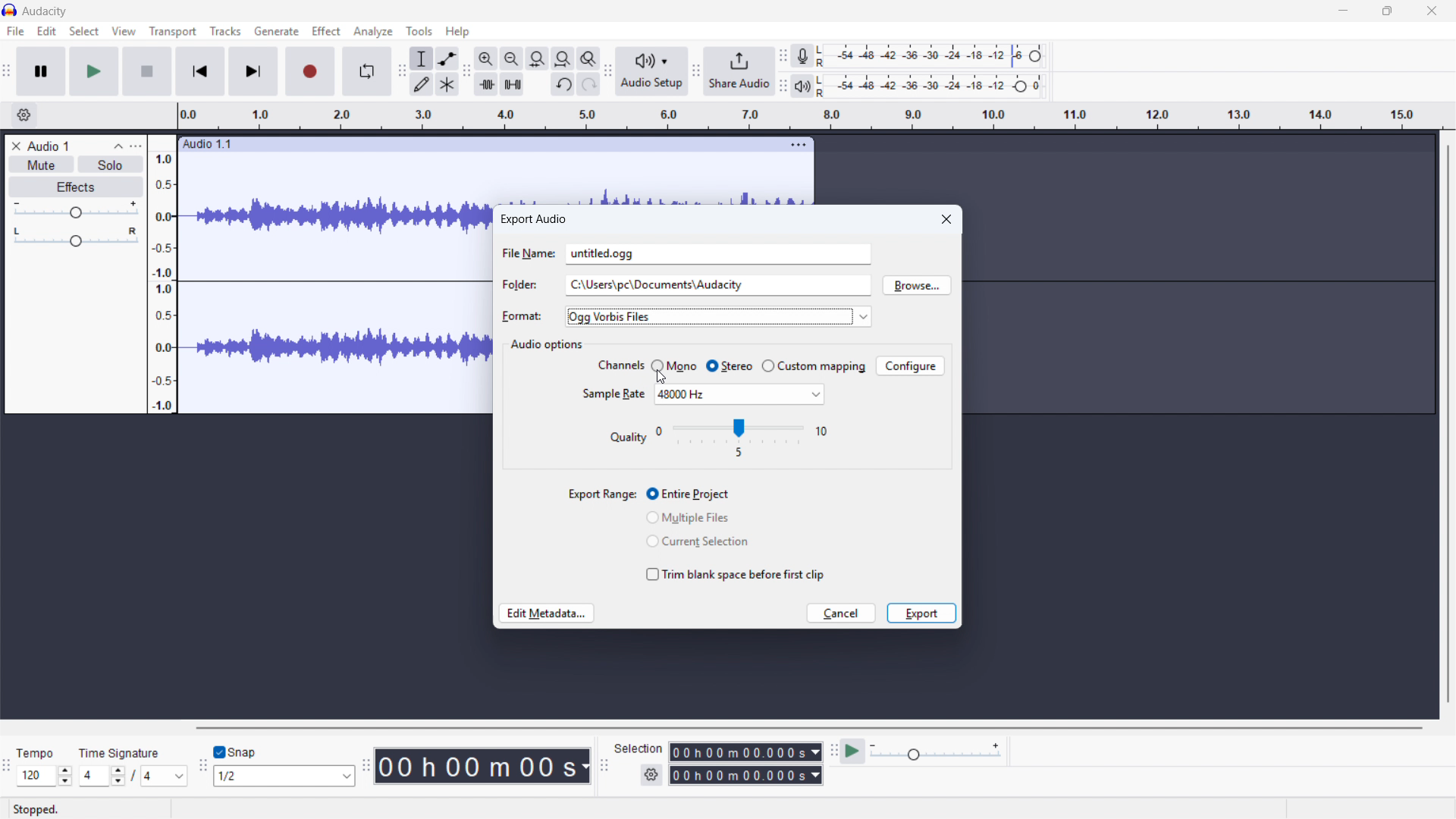  What do you see at coordinates (41, 71) in the screenshot?
I see `Pause` at bounding box center [41, 71].